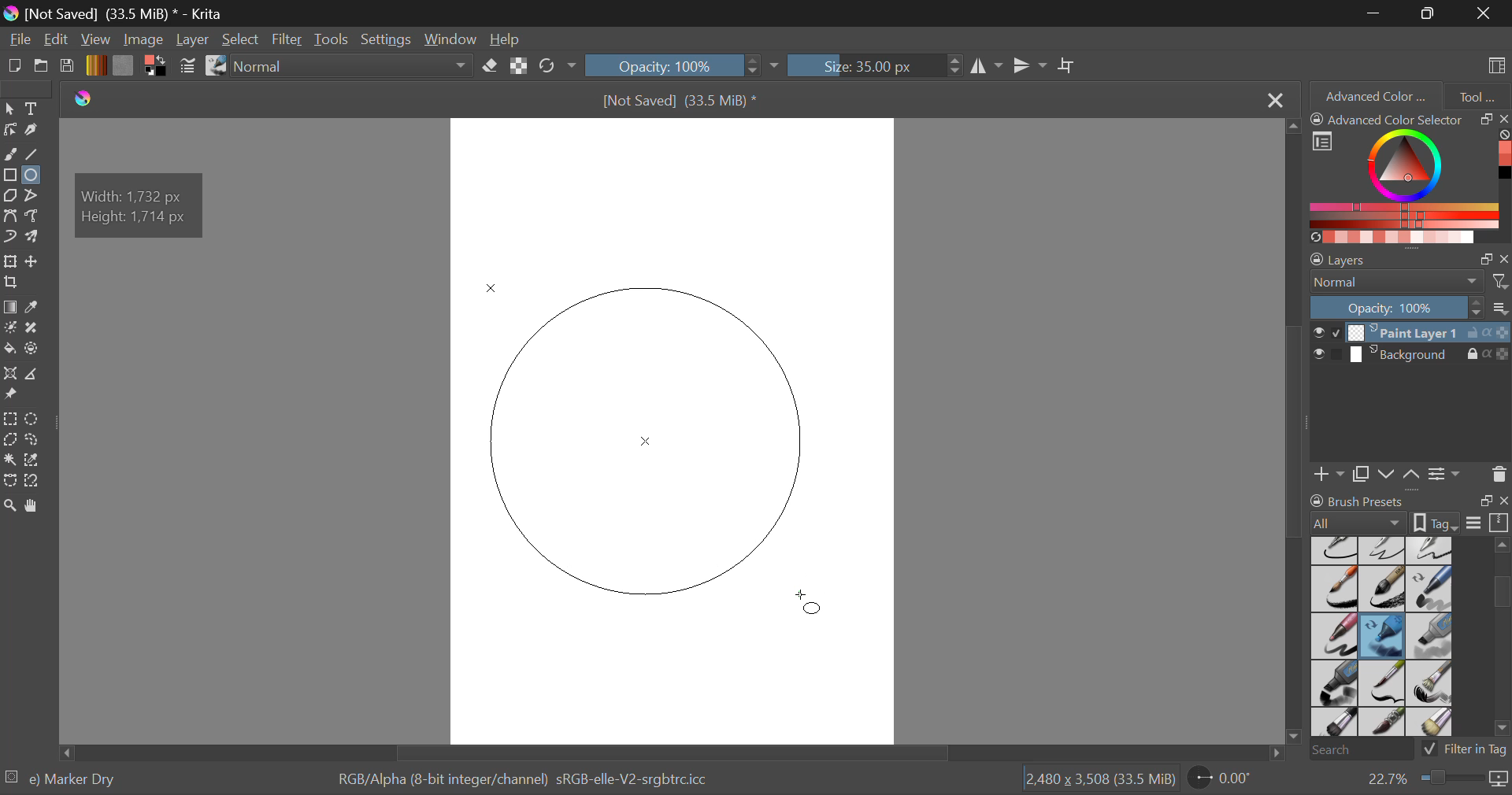 Image resolution: width=1512 pixels, height=795 pixels. What do you see at coordinates (82, 99) in the screenshot?
I see `Krita Logo` at bounding box center [82, 99].